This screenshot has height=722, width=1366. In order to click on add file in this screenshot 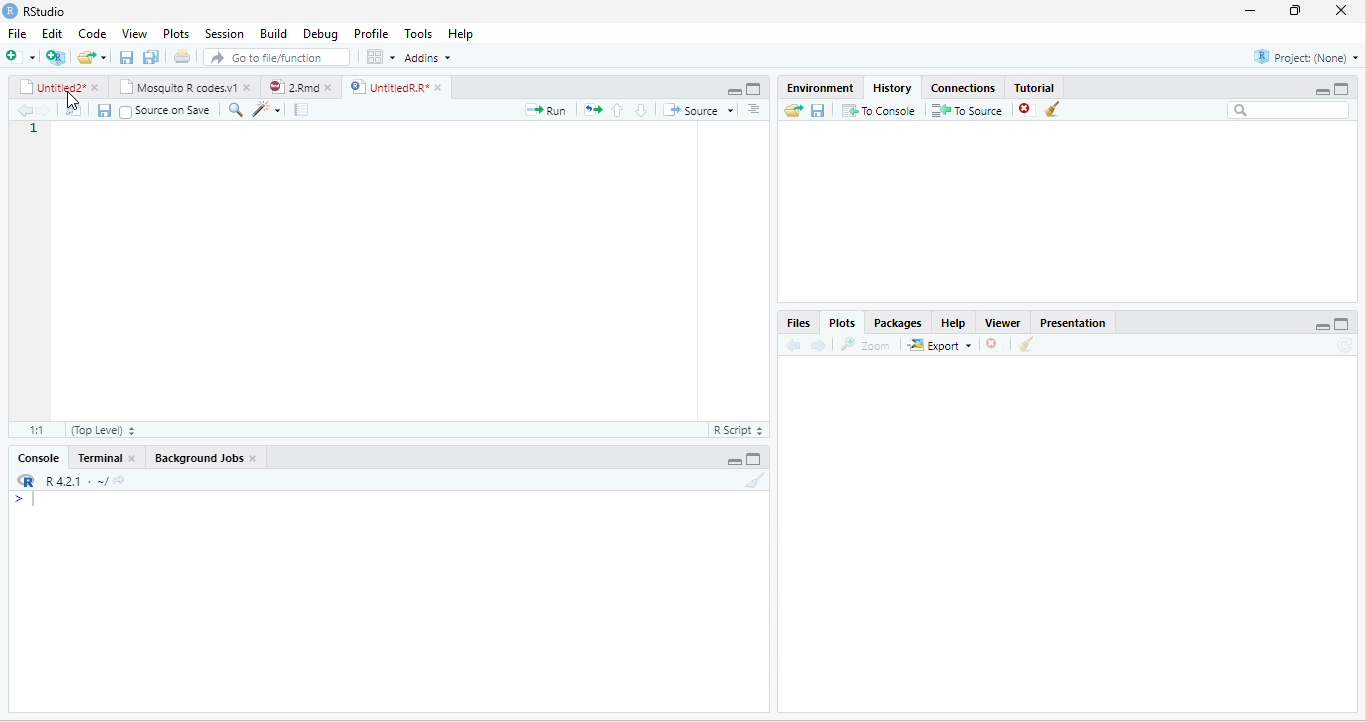, I will do `click(33, 57)`.